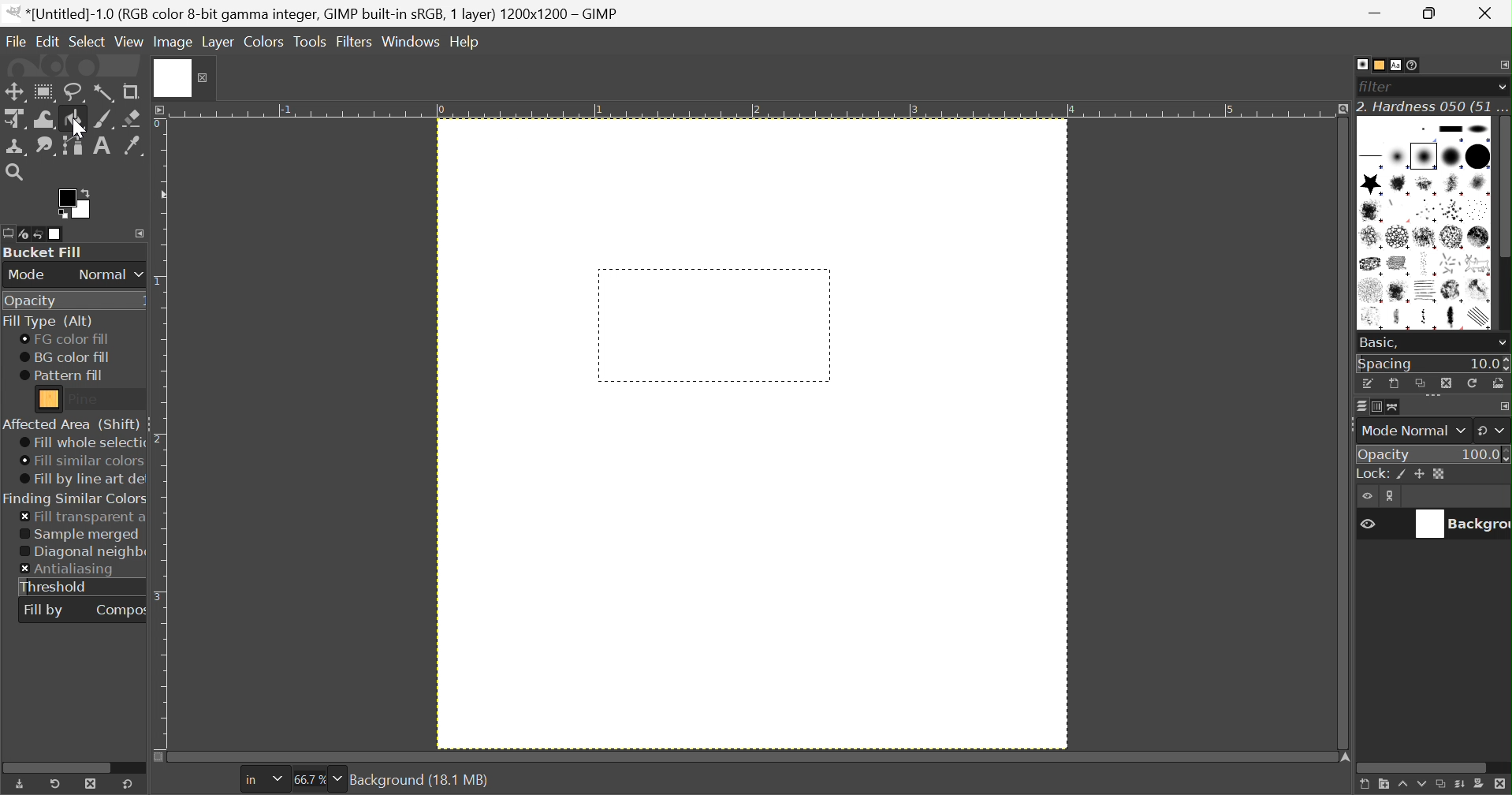  What do you see at coordinates (912, 110) in the screenshot?
I see `3` at bounding box center [912, 110].